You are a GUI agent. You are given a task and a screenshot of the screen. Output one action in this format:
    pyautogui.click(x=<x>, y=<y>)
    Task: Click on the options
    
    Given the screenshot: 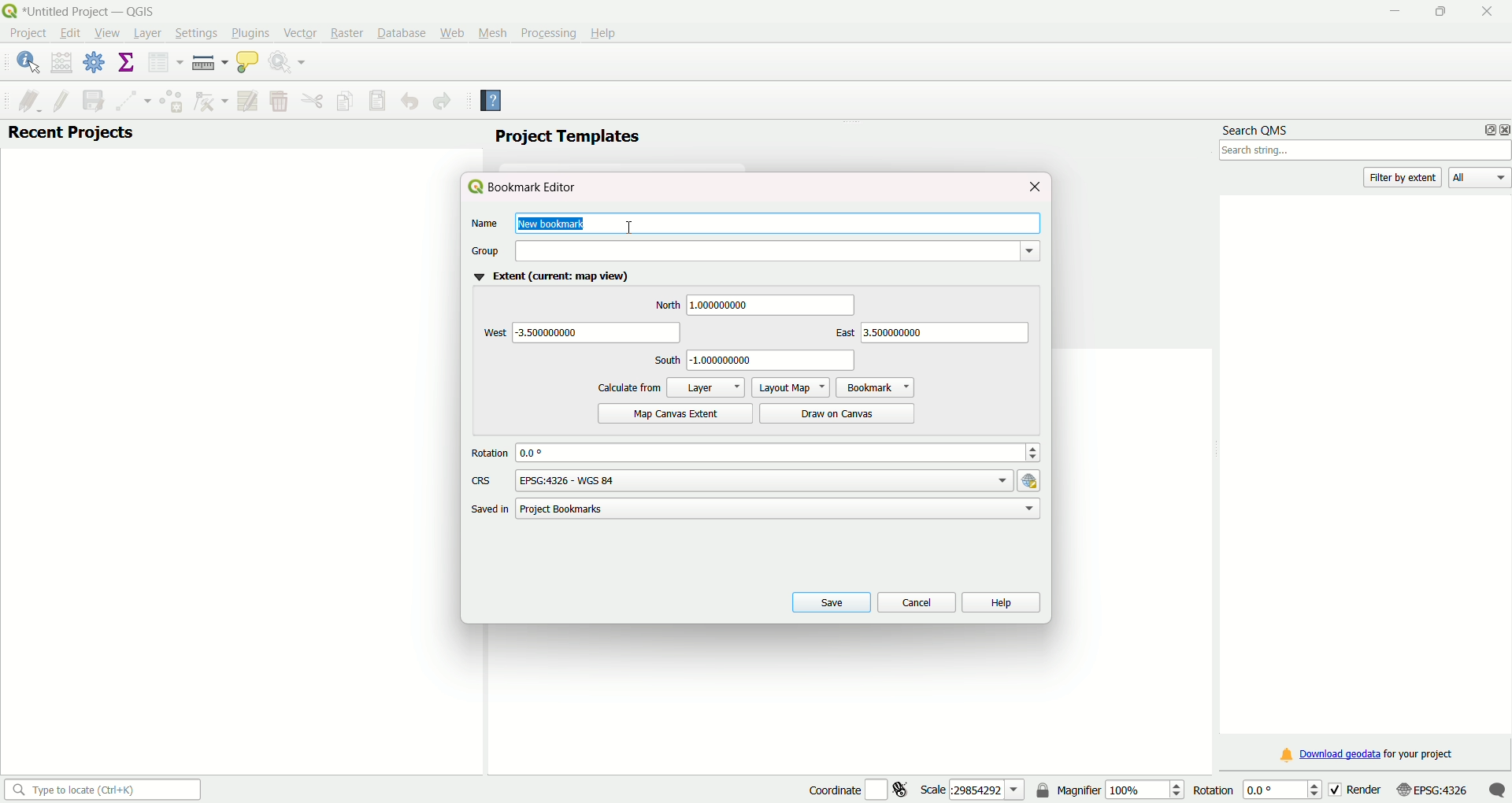 What is the action you would take?
    pyautogui.click(x=1485, y=129)
    